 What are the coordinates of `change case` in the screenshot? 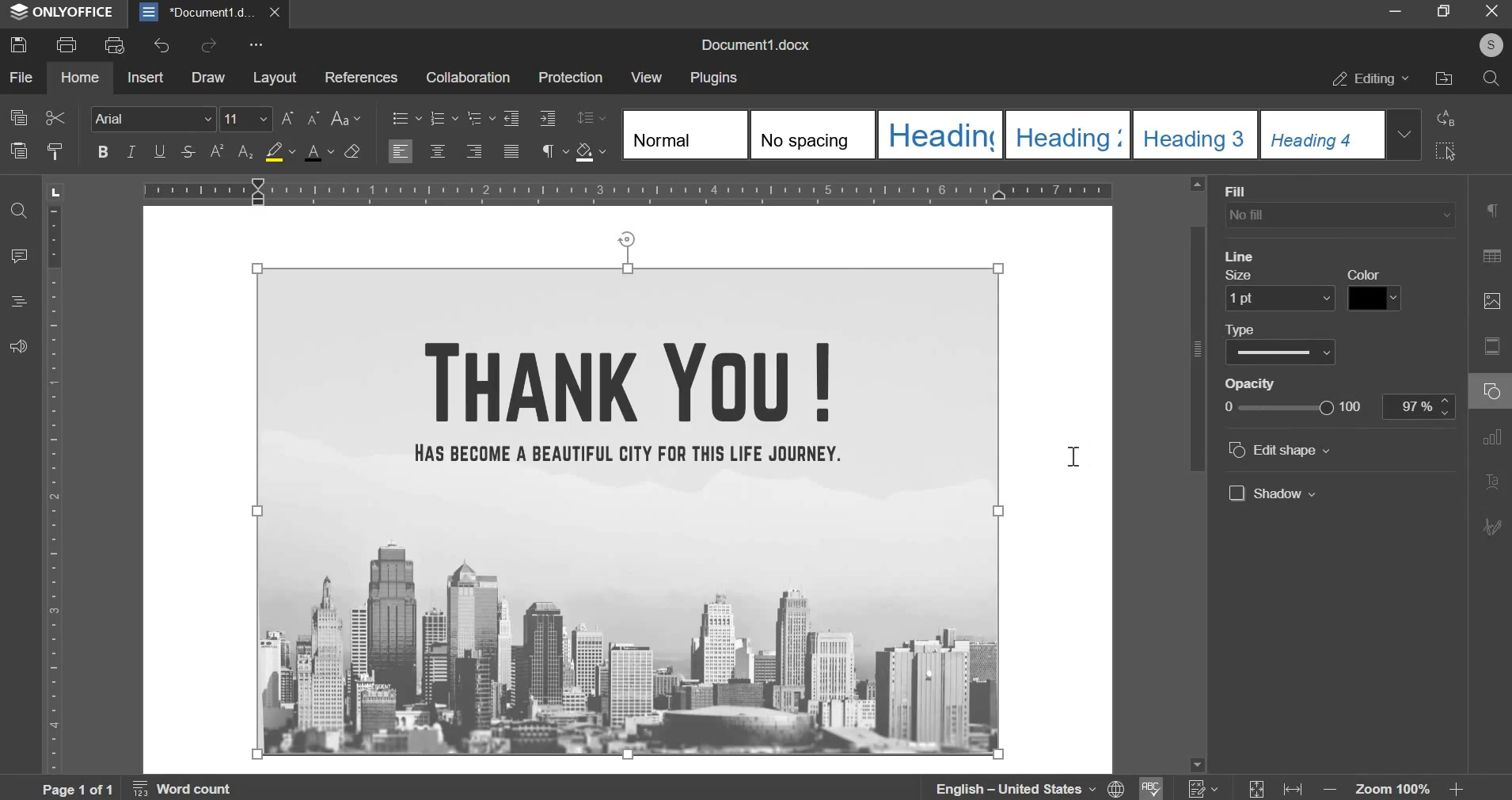 It's located at (345, 117).